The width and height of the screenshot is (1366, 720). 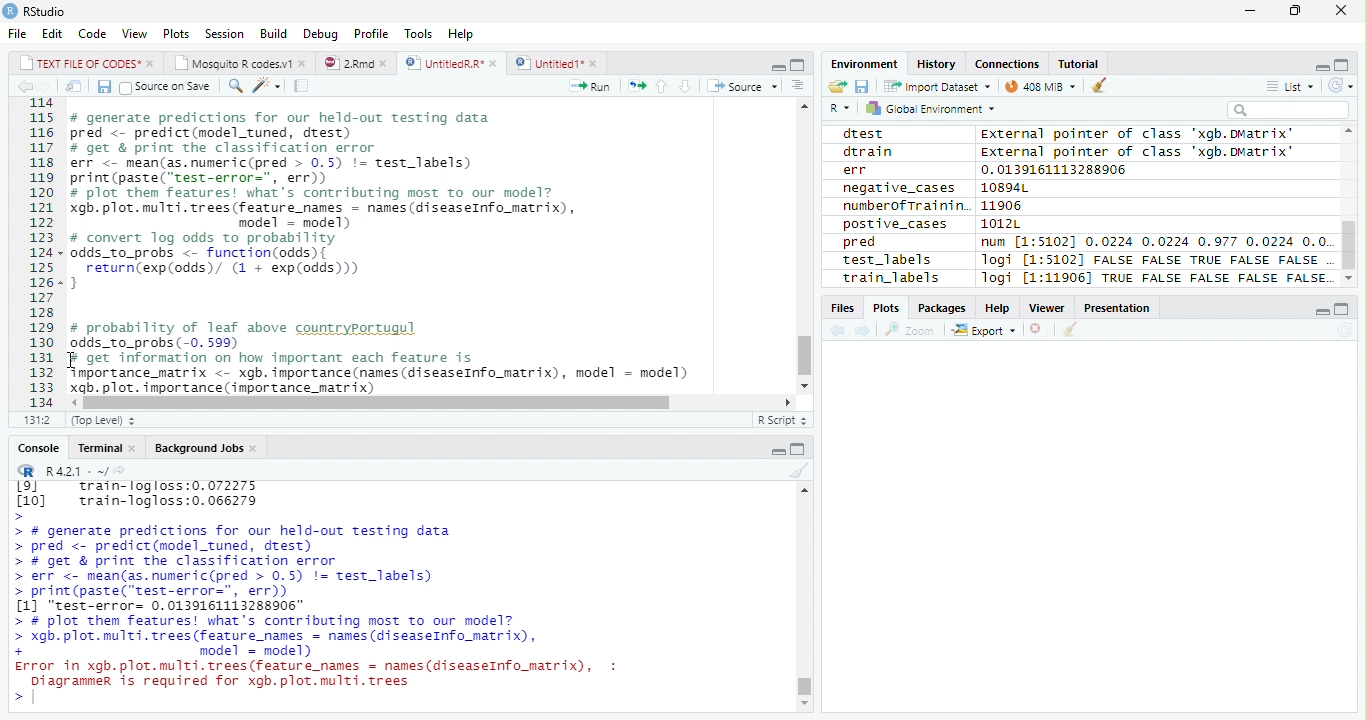 What do you see at coordinates (383, 353) in the screenshot?
I see `# probability of leaf above countryportugul

odds_to_probs (-0. 599)

# get information on how important each feature is

importance_matrix <- xgb. importance (names (diseaseInfo_matrix), model = model)
xgb. plot. importance (importance_matrix)` at bounding box center [383, 353].